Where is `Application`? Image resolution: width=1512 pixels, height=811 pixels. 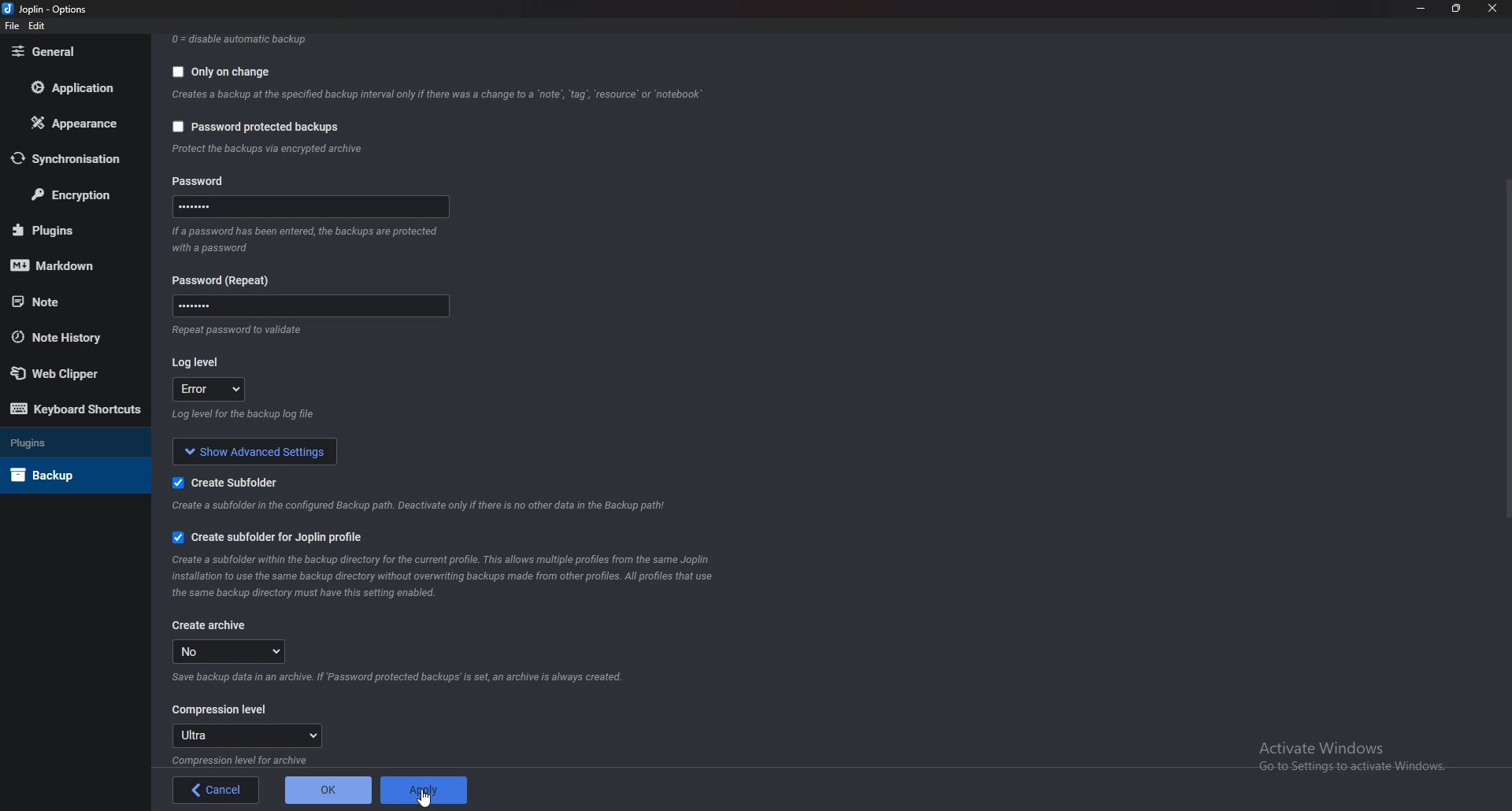 Application is located at coordinates (75, 87).